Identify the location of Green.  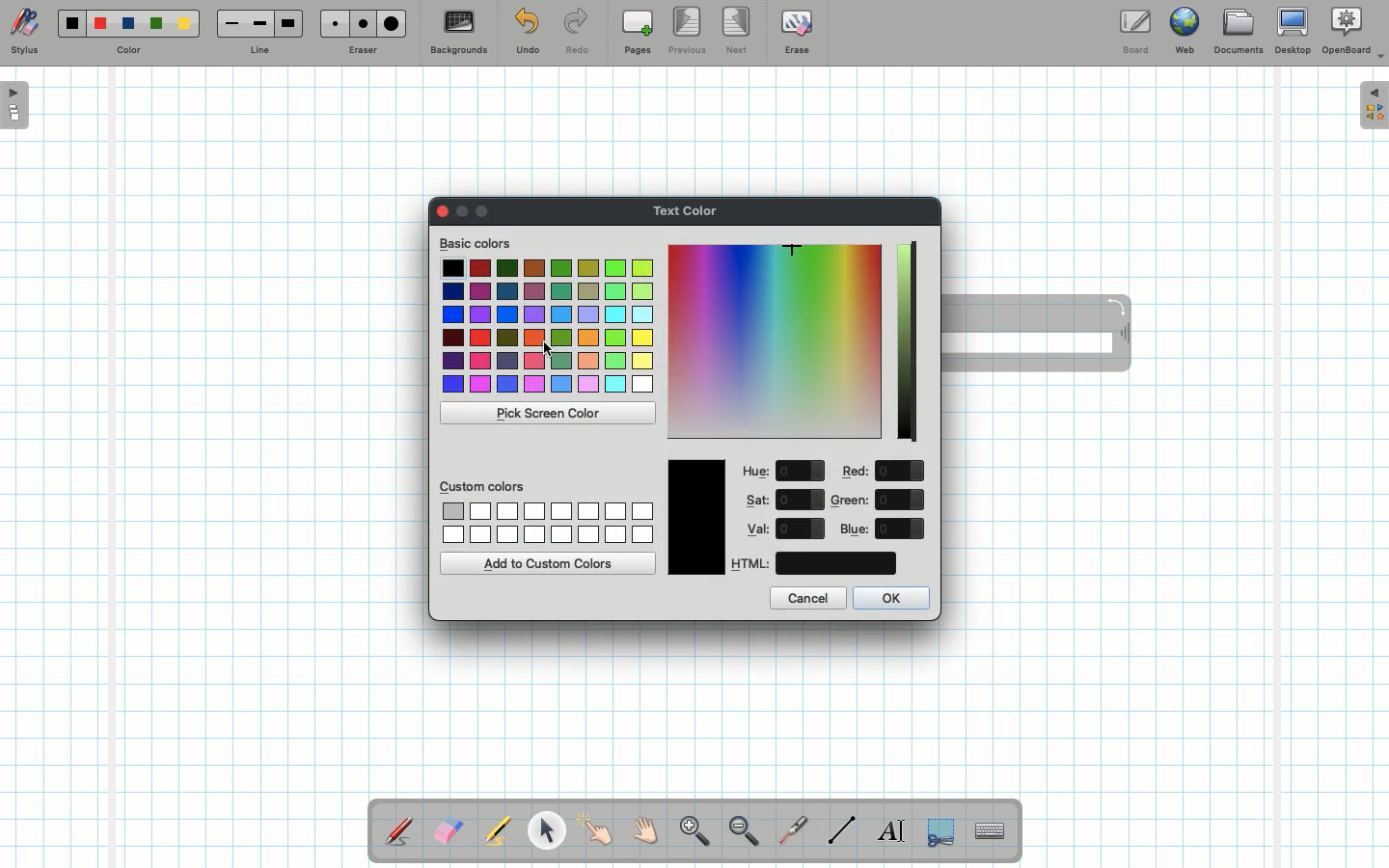
(156, 25).